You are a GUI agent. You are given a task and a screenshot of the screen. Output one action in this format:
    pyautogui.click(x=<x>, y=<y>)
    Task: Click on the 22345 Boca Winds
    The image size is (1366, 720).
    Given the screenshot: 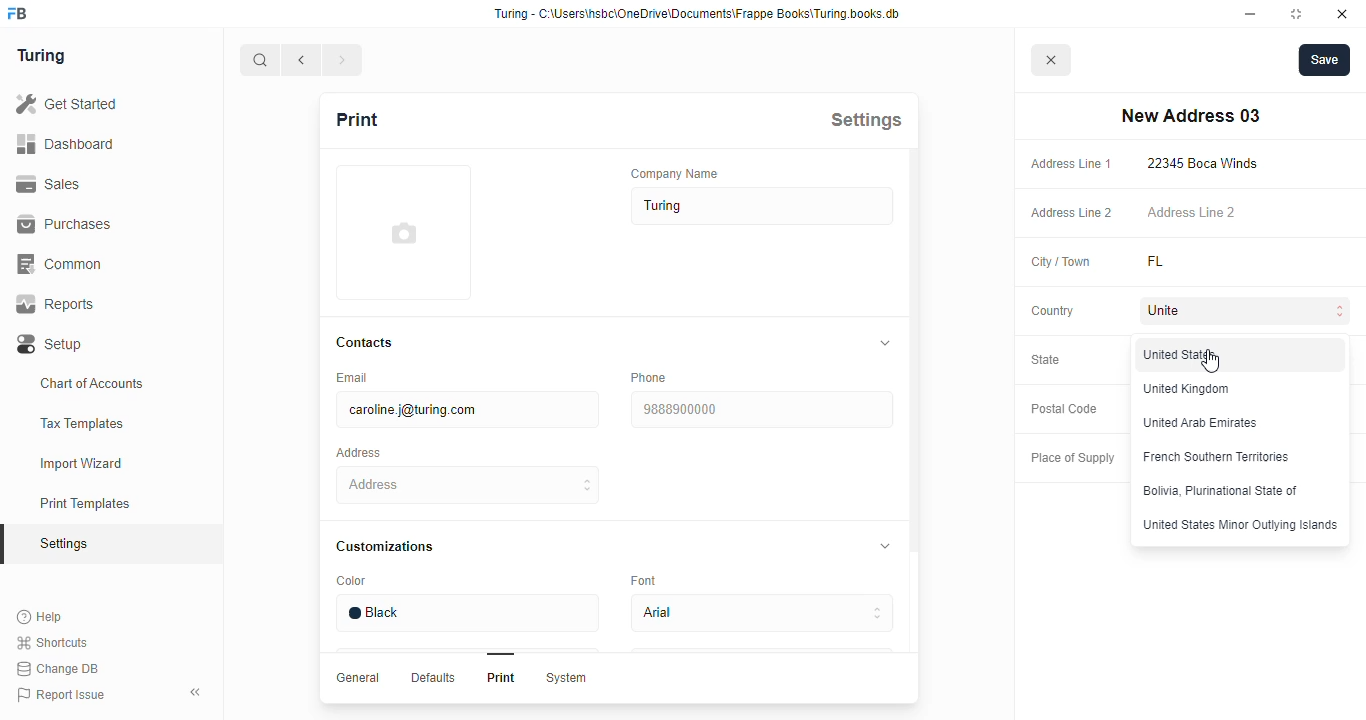 What is the action you would take?
    pyautogui.click(x=1207, y=163)
    